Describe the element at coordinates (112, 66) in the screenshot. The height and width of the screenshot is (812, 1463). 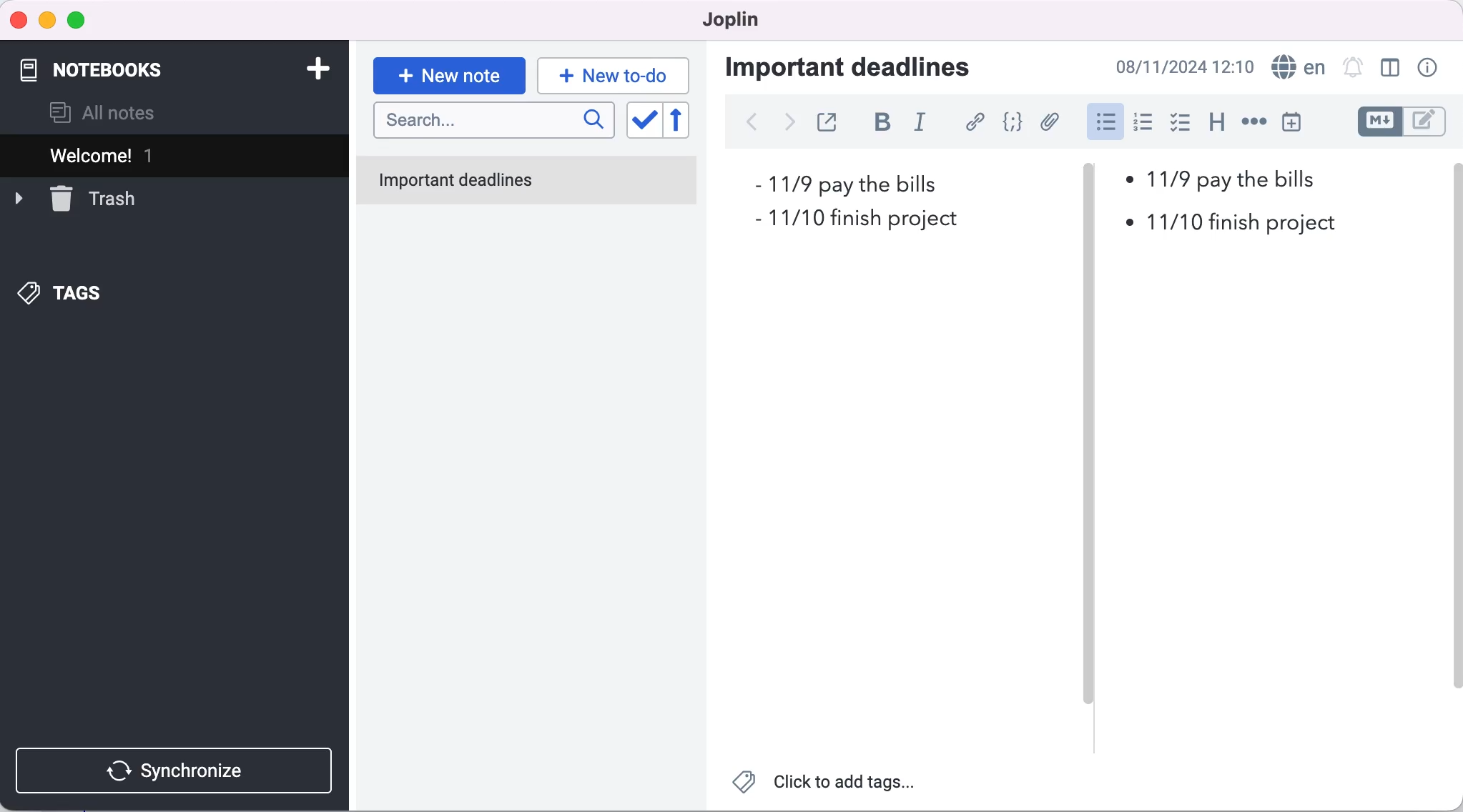
I see `notebooks` at that location.